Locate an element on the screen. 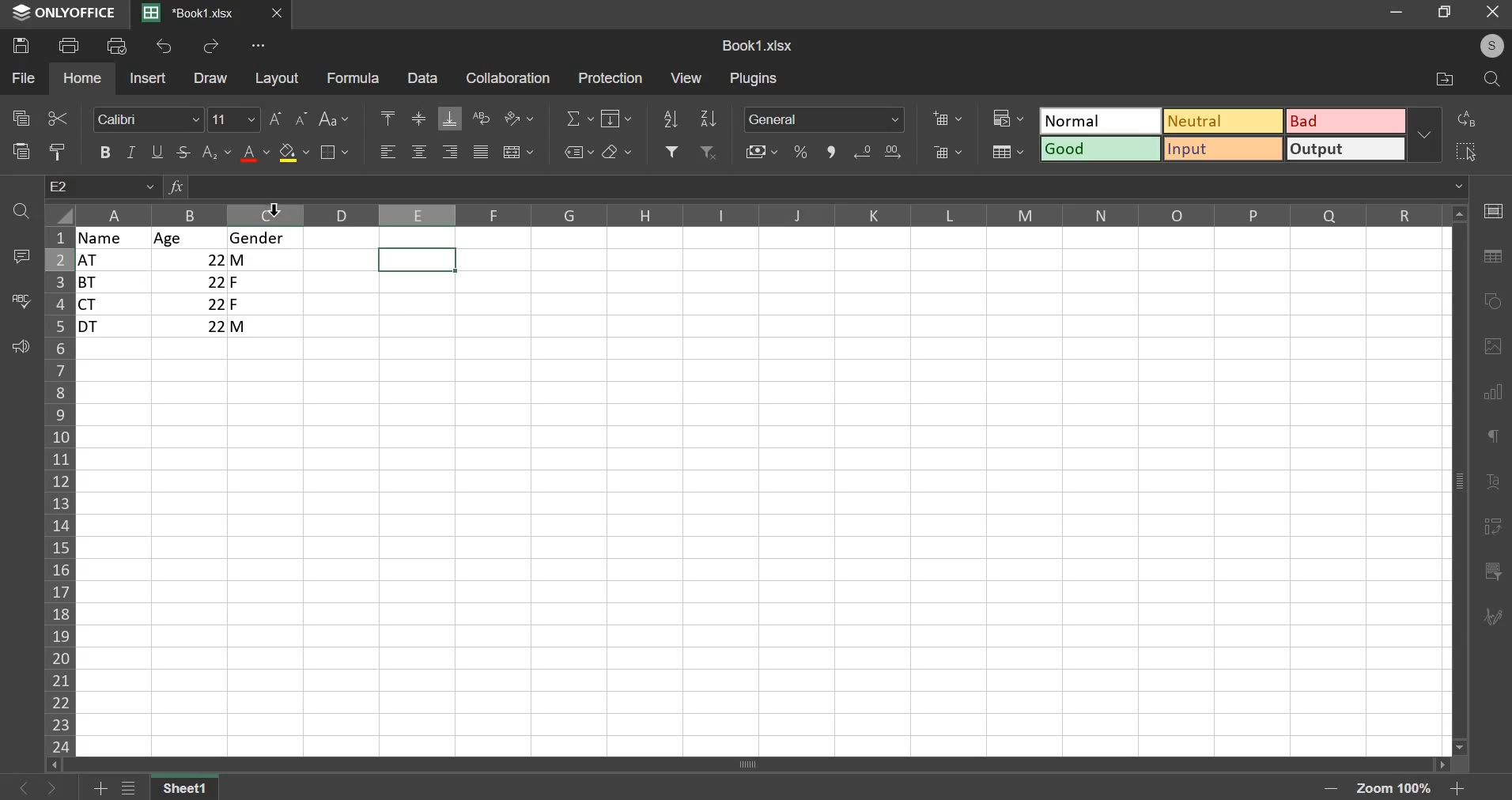  cell name is located at coordinates (103, 190).